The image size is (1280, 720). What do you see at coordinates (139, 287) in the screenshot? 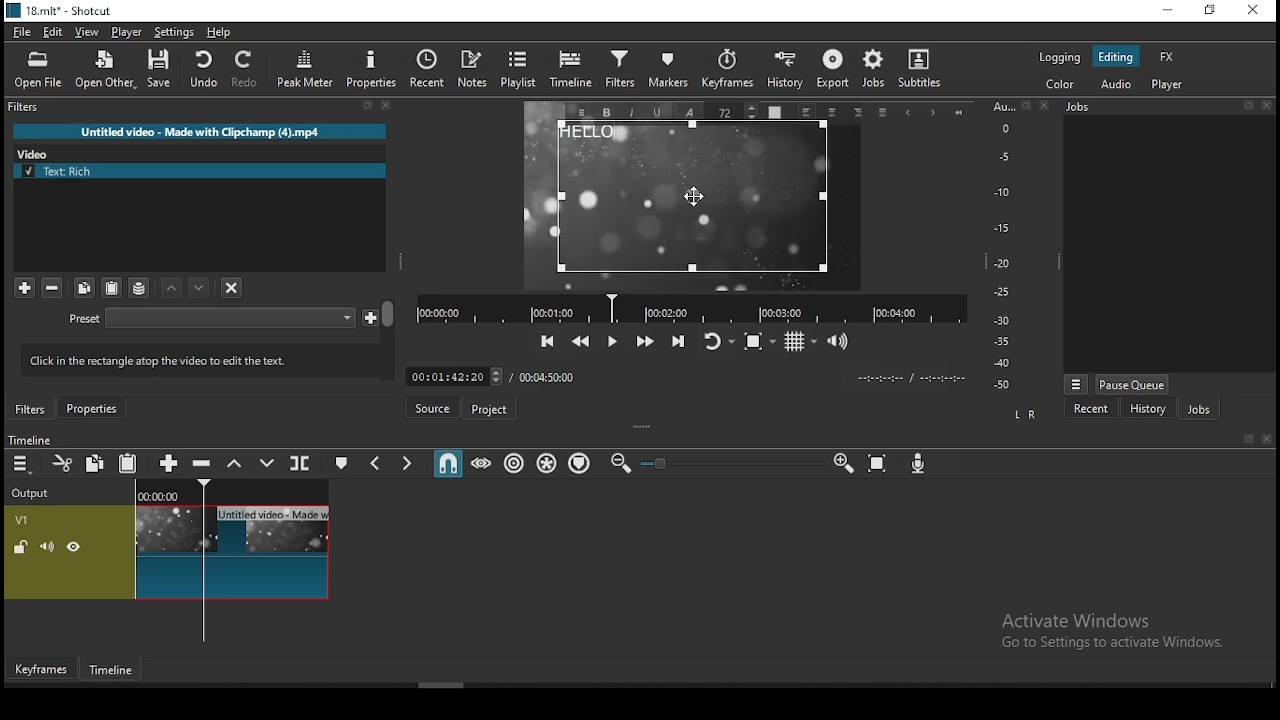
I see `save filter sets` at bounding box center [139, 287].